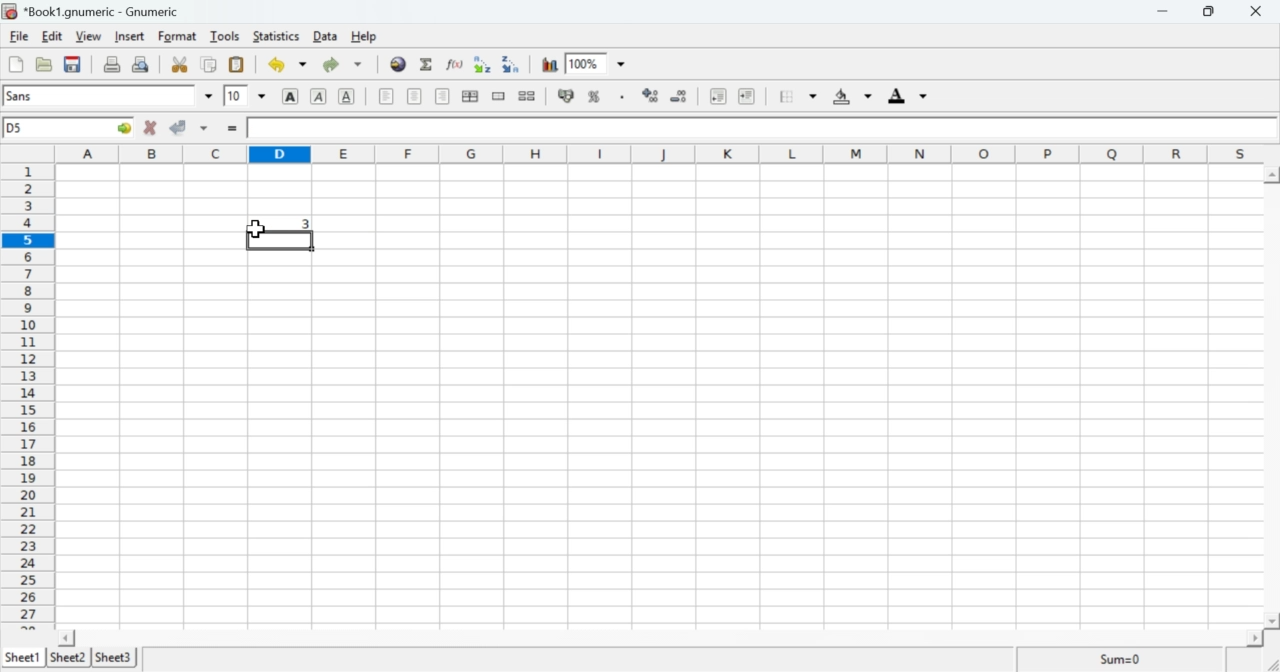  What do you see at coordinates (471, 96) in the screenshot?
I see `Center horizontally across selection` at bounding box center [471, 96].